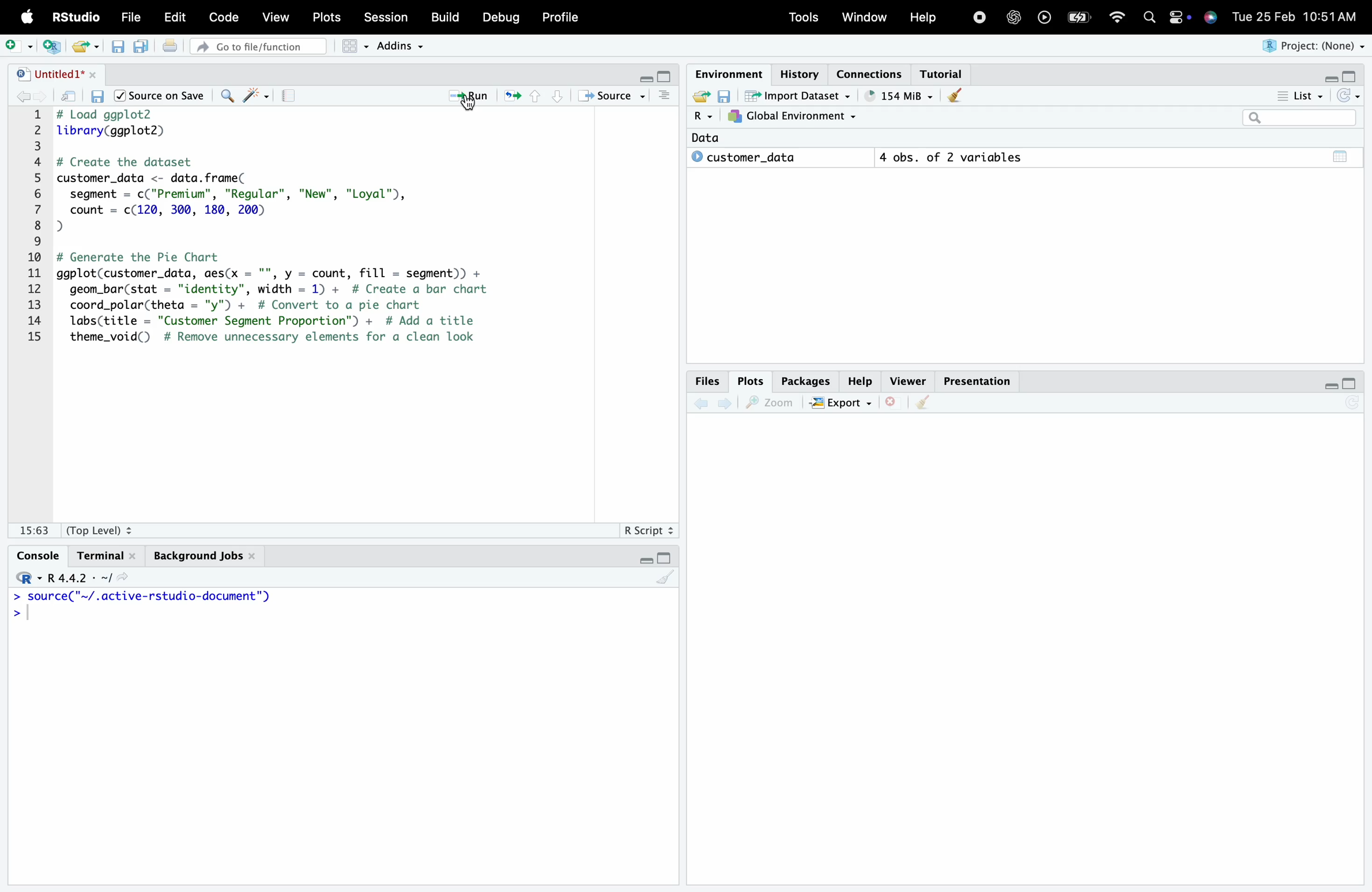 This screenshot has width=1372, height=892. Describe the element at coordinates (803, 17) in the screenshot. I see `Tools` at that location.